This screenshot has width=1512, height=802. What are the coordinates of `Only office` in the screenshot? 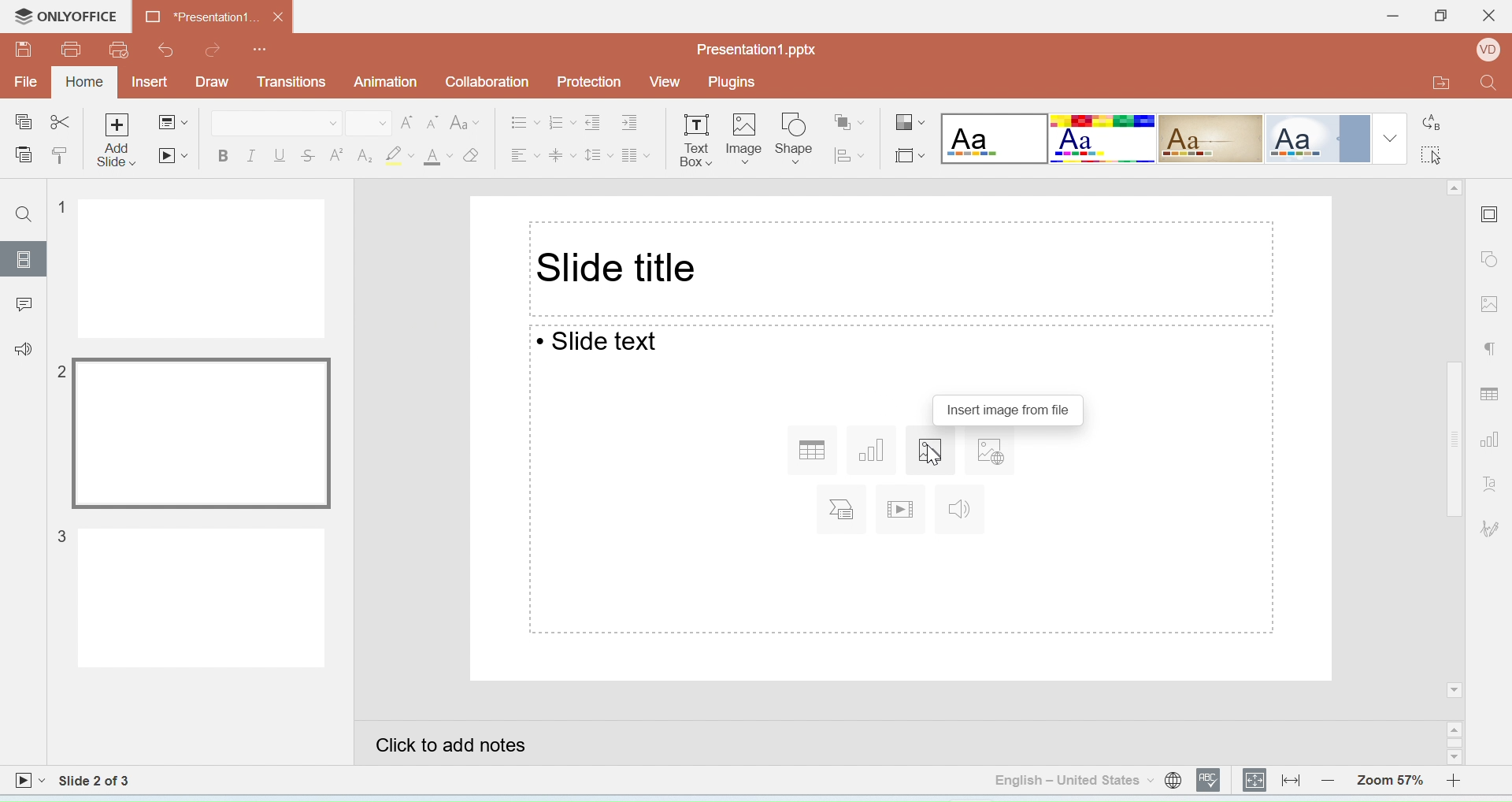 It's located at (68, 17).